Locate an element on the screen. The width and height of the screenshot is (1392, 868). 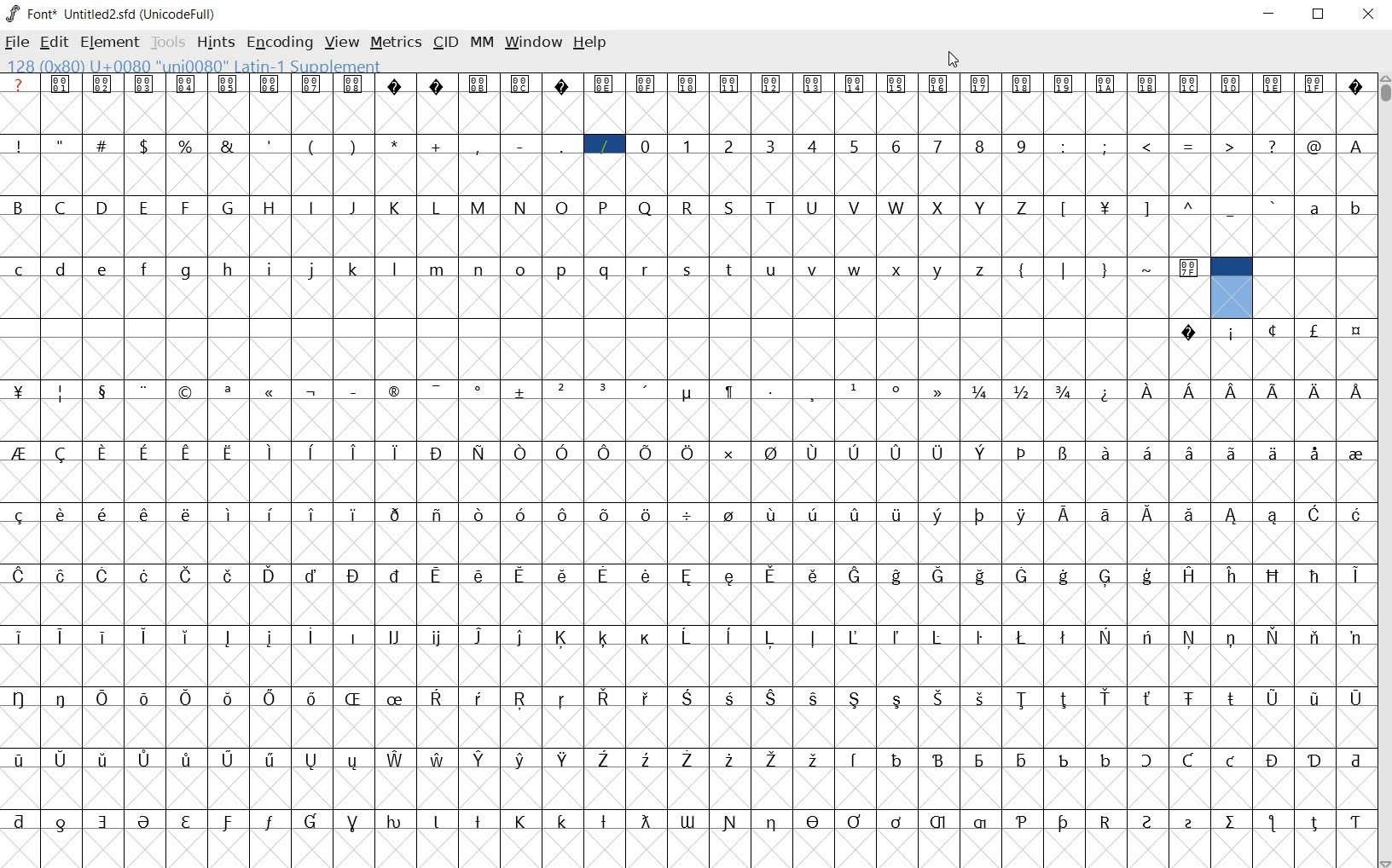
edit is located at coordinates (54, 42).